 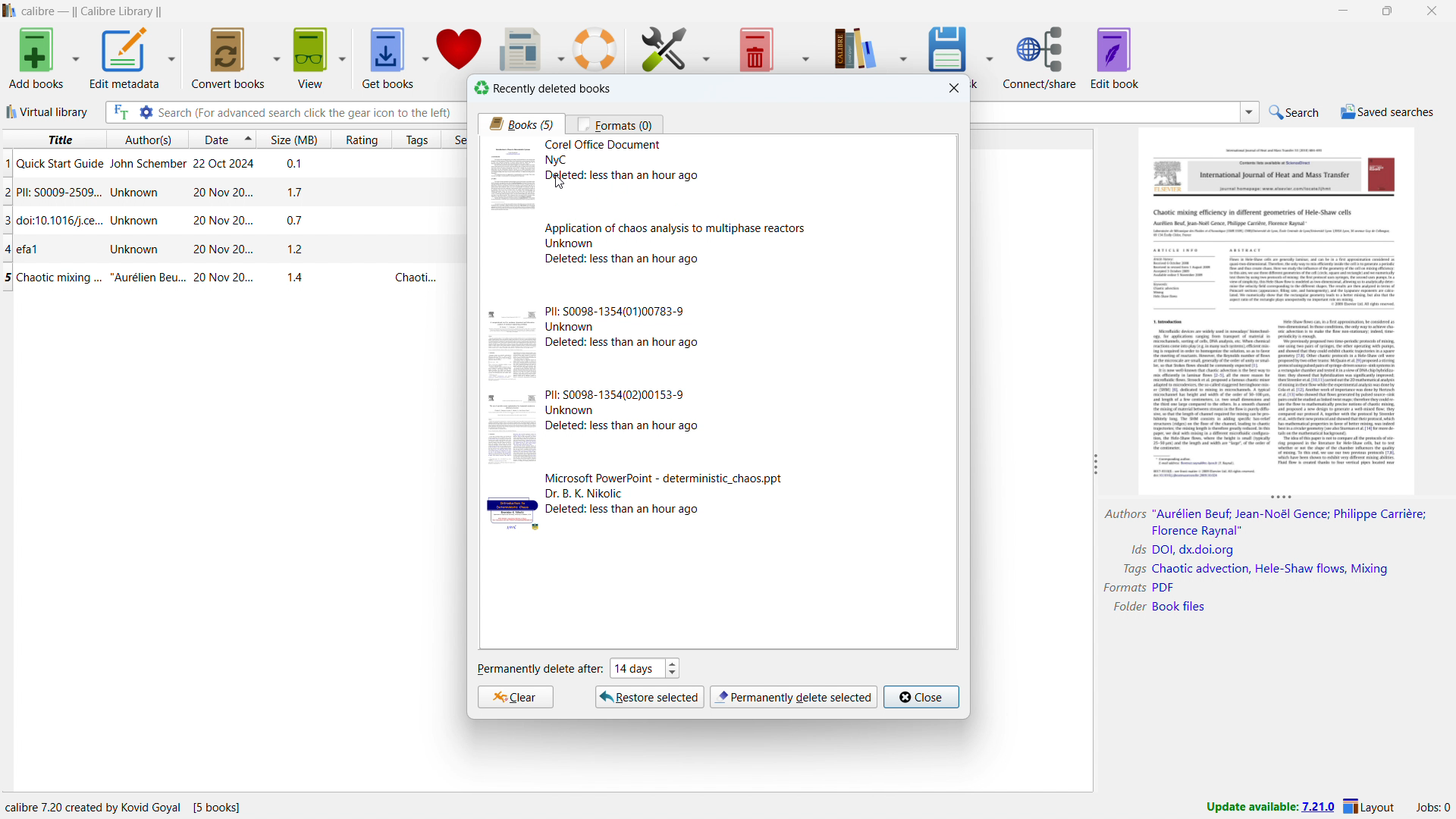 What do you see at coordinates (907, 47) in the screenshot?
I see `calibre library options` at bounding box center [907, 47].